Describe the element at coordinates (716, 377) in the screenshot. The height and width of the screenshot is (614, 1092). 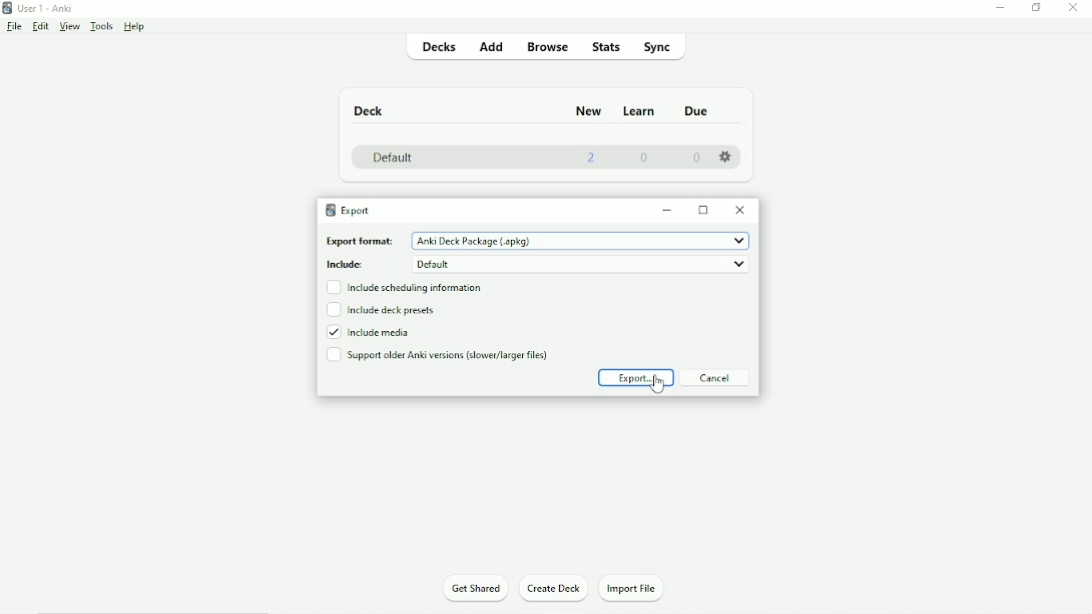
I see `Cancel` at that location.